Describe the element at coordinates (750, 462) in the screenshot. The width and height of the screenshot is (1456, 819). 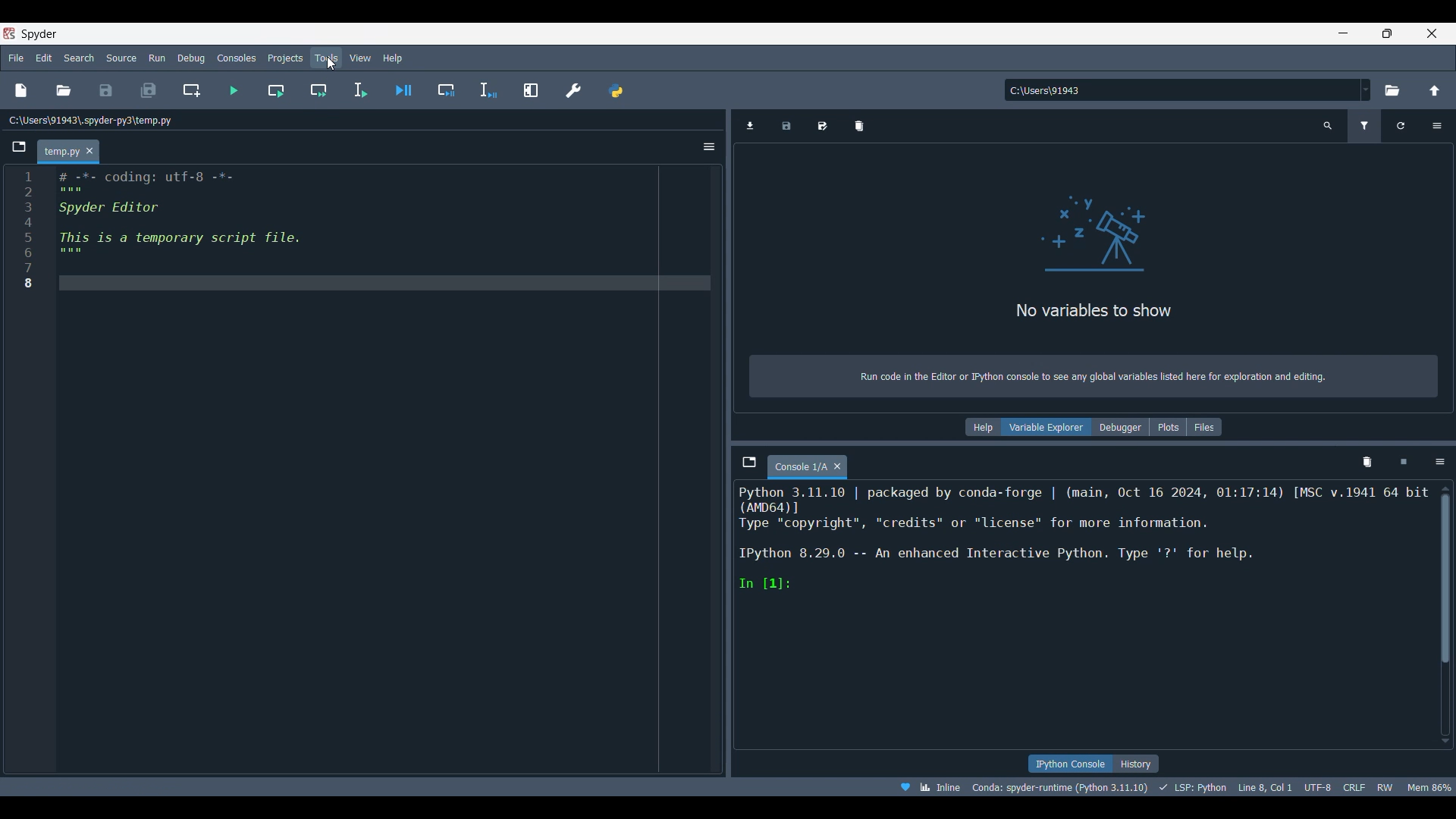
I see `Browse tabs` at that location.